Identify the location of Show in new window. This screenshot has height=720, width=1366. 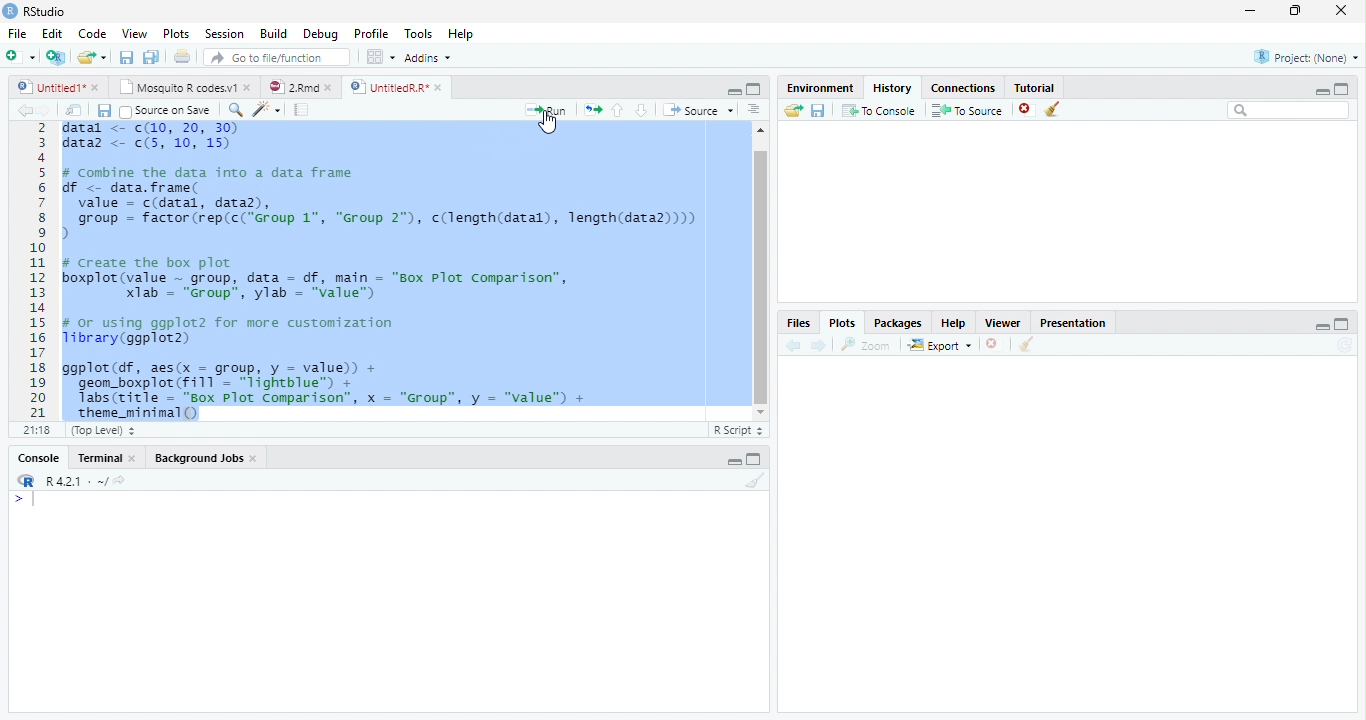
(74, 109).